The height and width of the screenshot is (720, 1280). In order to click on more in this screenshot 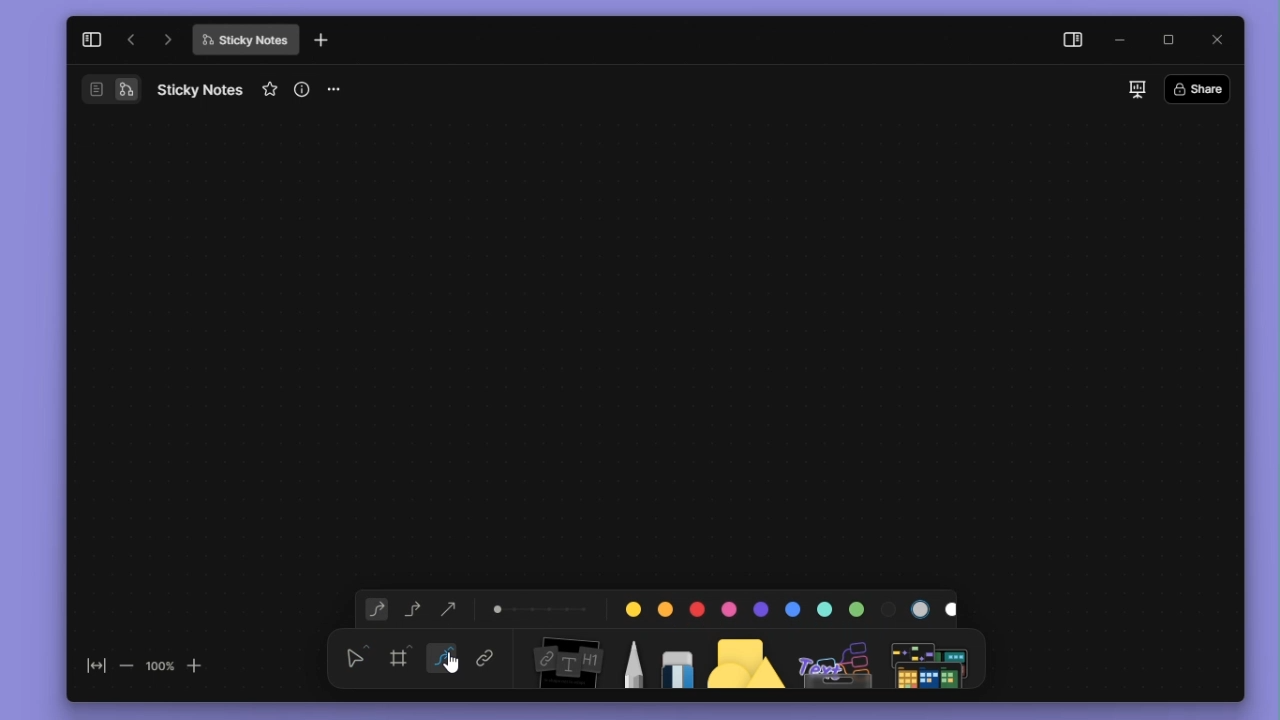, I will do `click(933, 658)`.